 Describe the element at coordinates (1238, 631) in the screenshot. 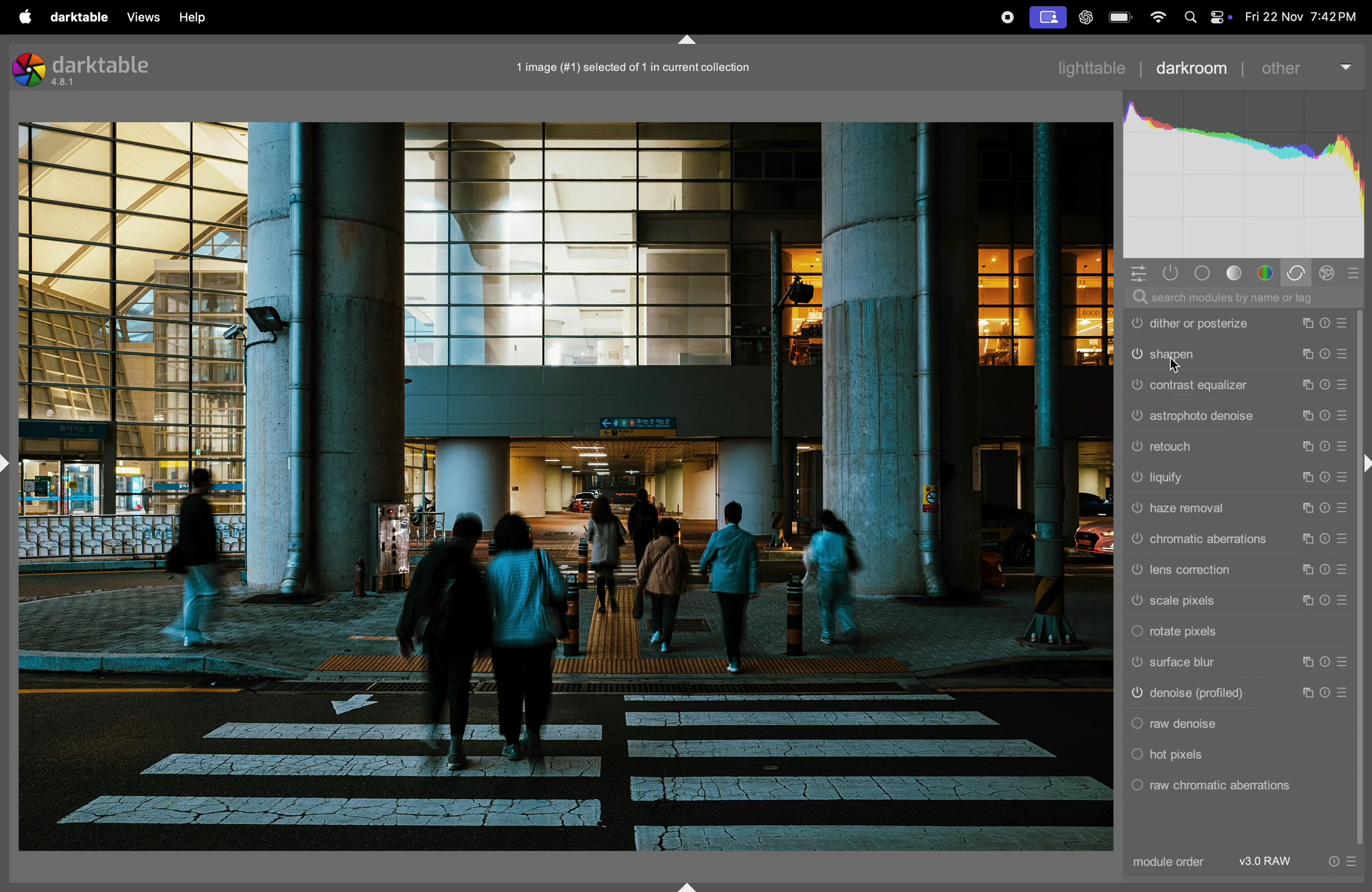

I see `rotate pixels` at that location.